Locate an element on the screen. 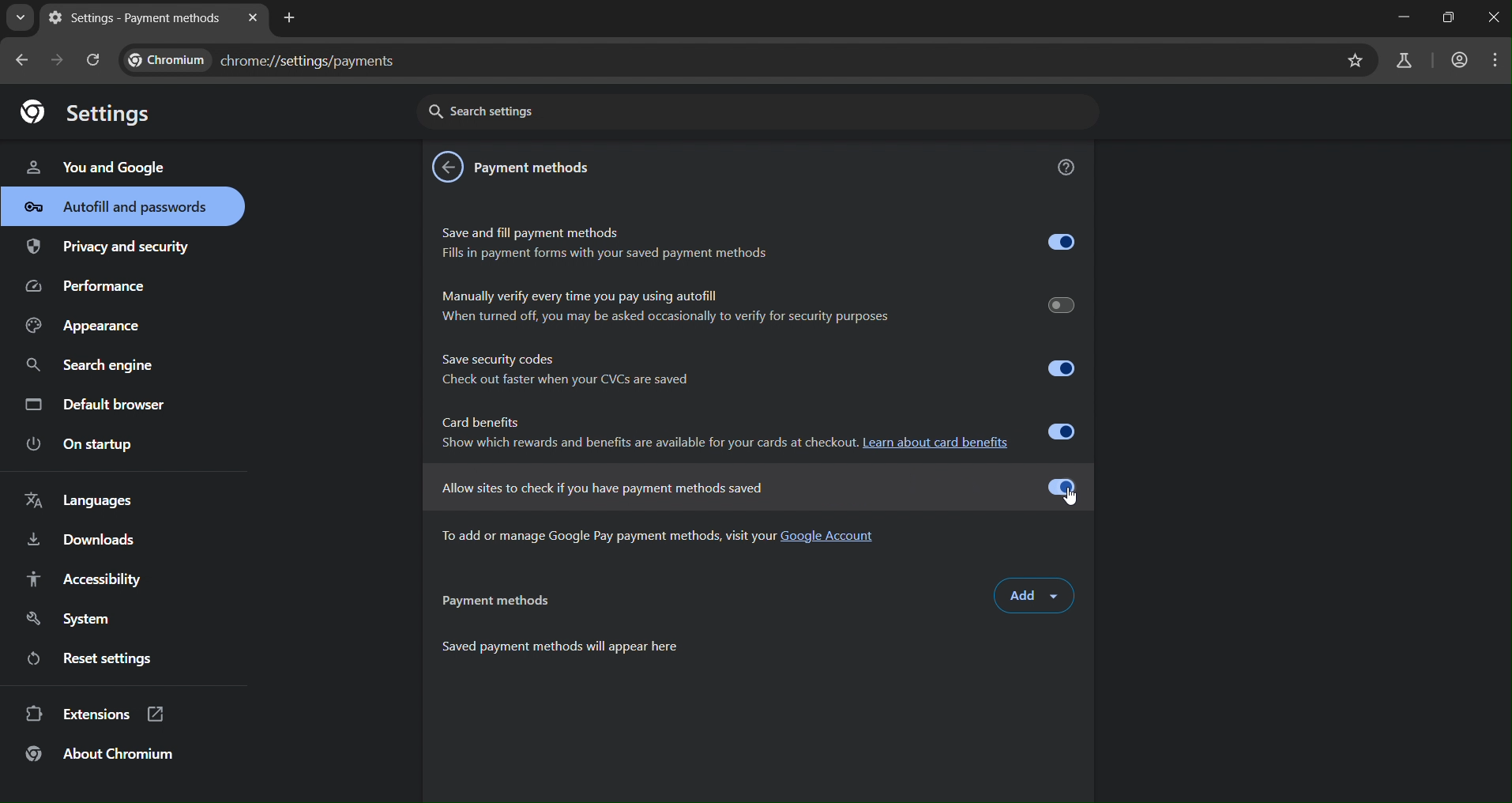 This screenshot has width=1512, height=803. To add or manage Google Pay payment methods, visit your is located at coordinates (597, 537).